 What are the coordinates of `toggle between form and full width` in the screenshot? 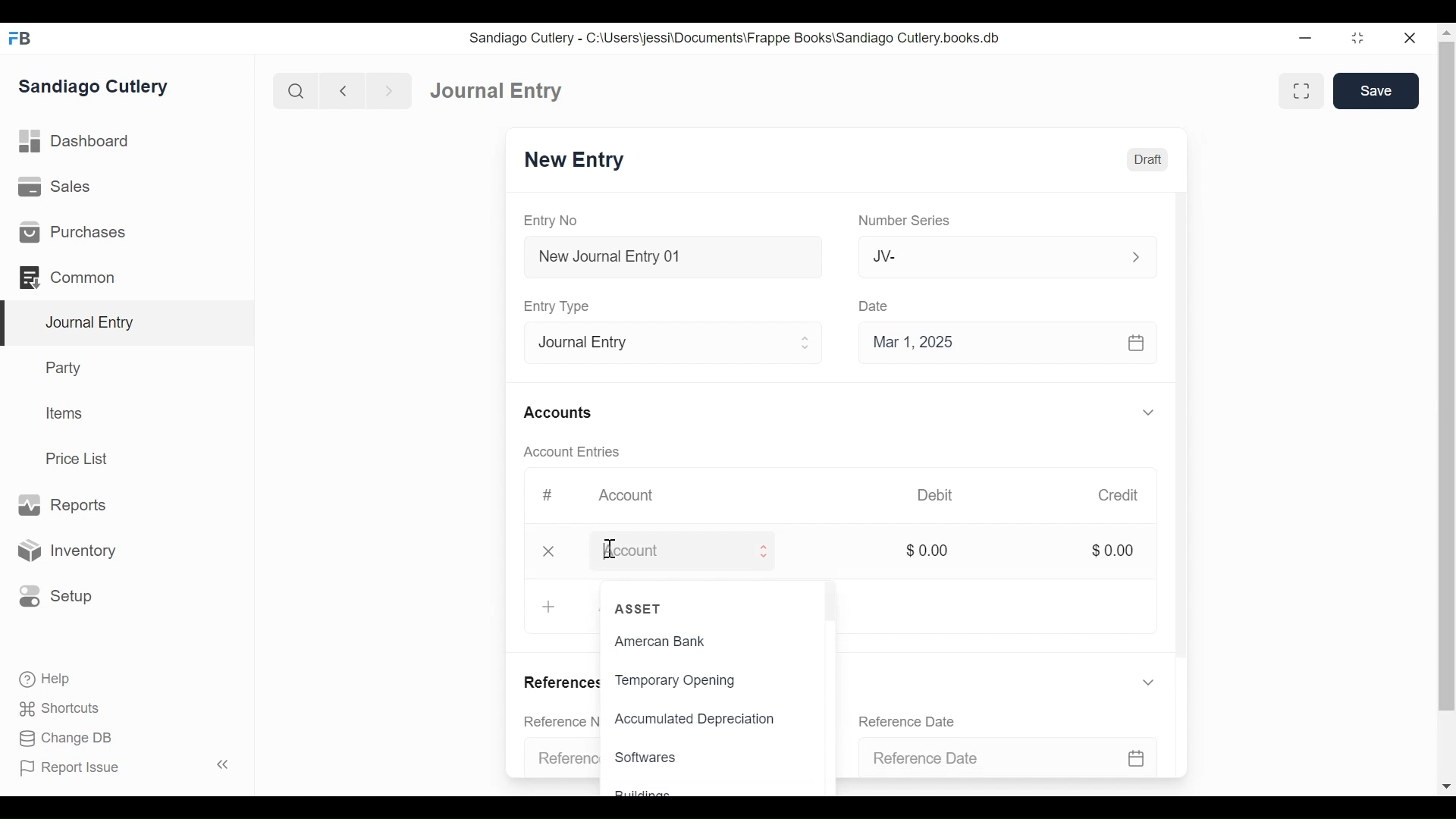 It's located at (1301, 89).